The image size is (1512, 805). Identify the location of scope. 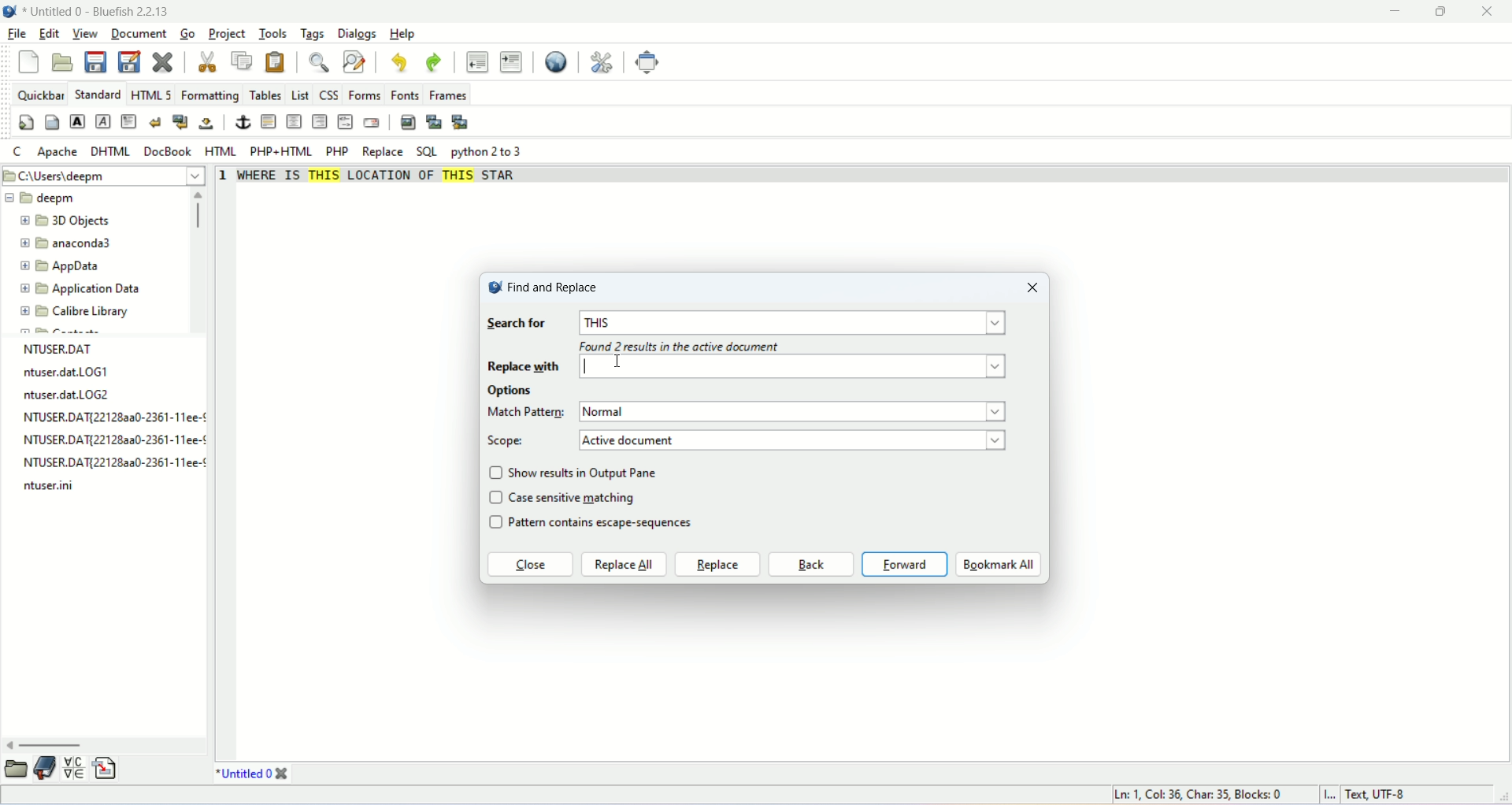
(794, 440).